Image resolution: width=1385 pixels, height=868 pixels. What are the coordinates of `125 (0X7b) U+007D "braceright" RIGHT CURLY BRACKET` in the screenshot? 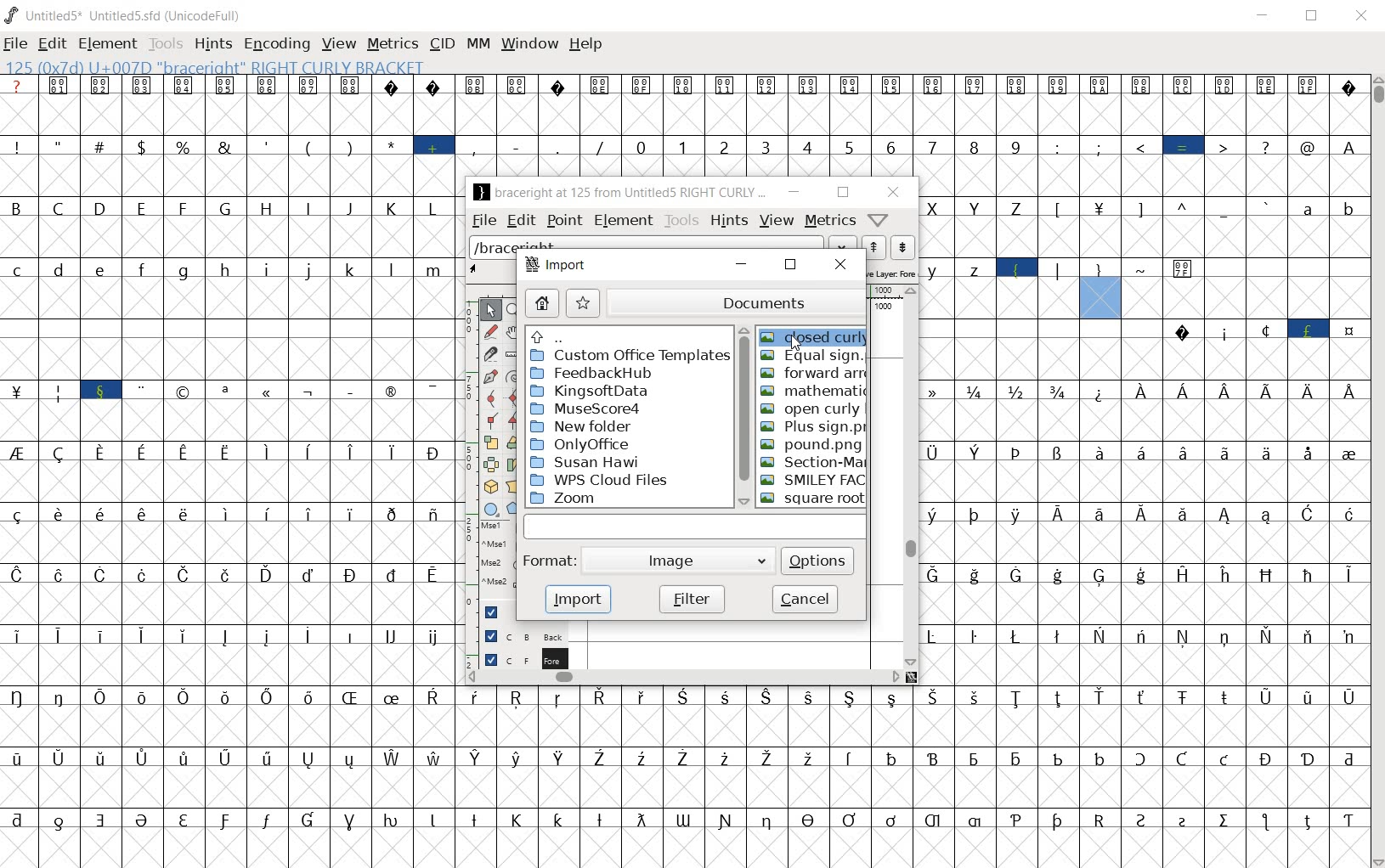 It's located at (1100, 289).